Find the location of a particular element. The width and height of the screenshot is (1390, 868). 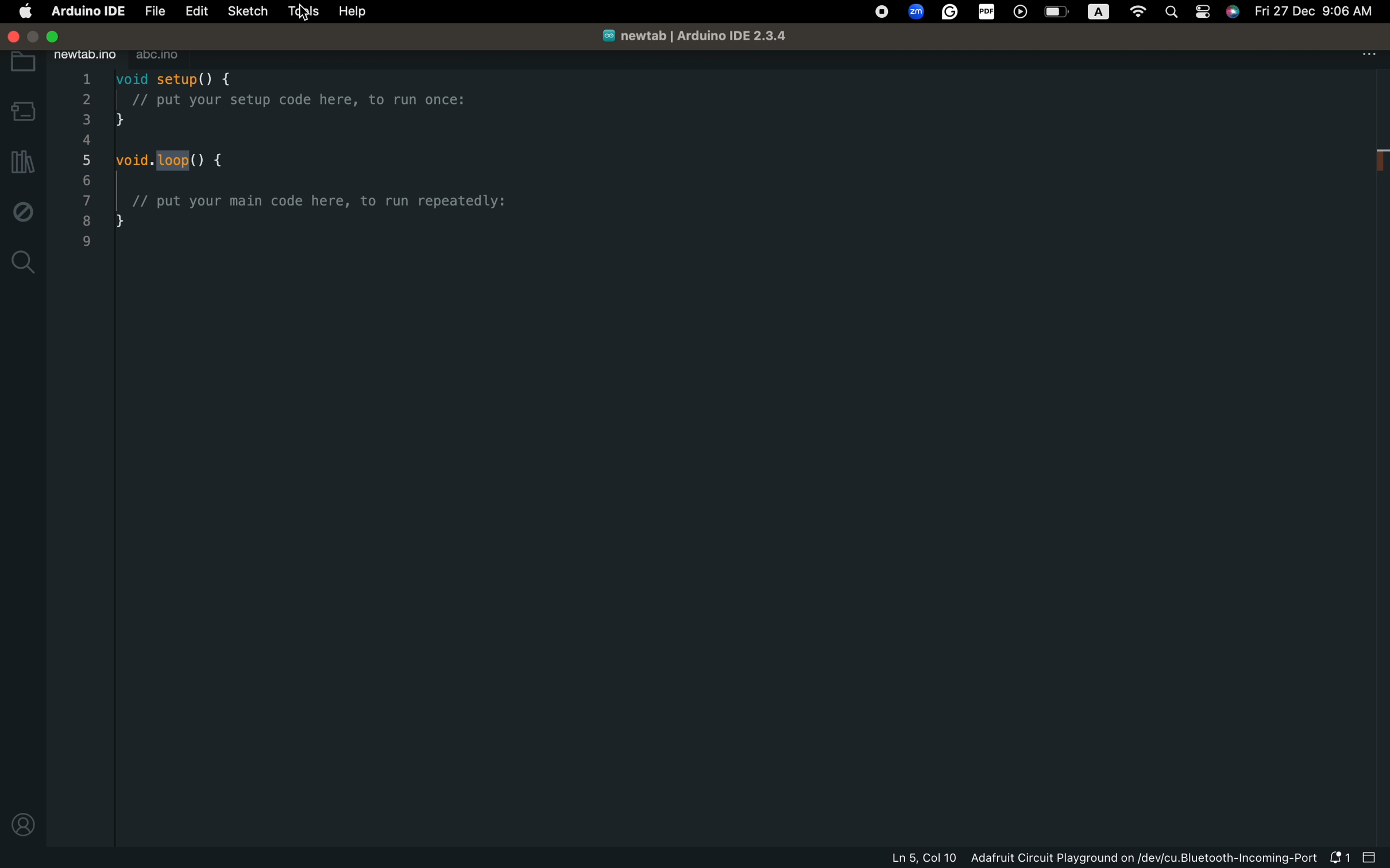

edit is located at coordinates (193, 10).